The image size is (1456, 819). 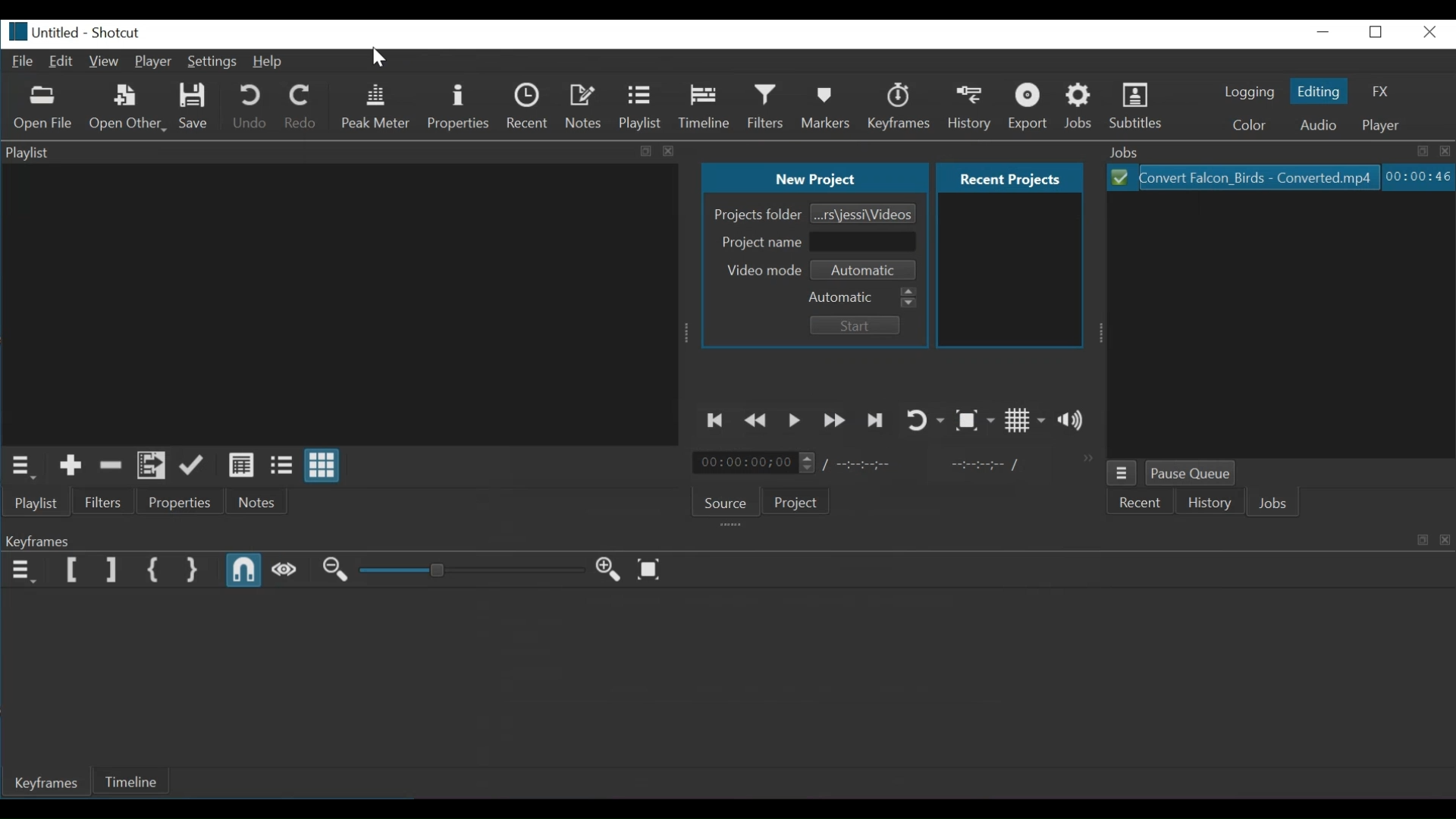 What do you see at coordinates (727, 504) in the screenshot?
I see `Source` at bounding box center [727, 504].